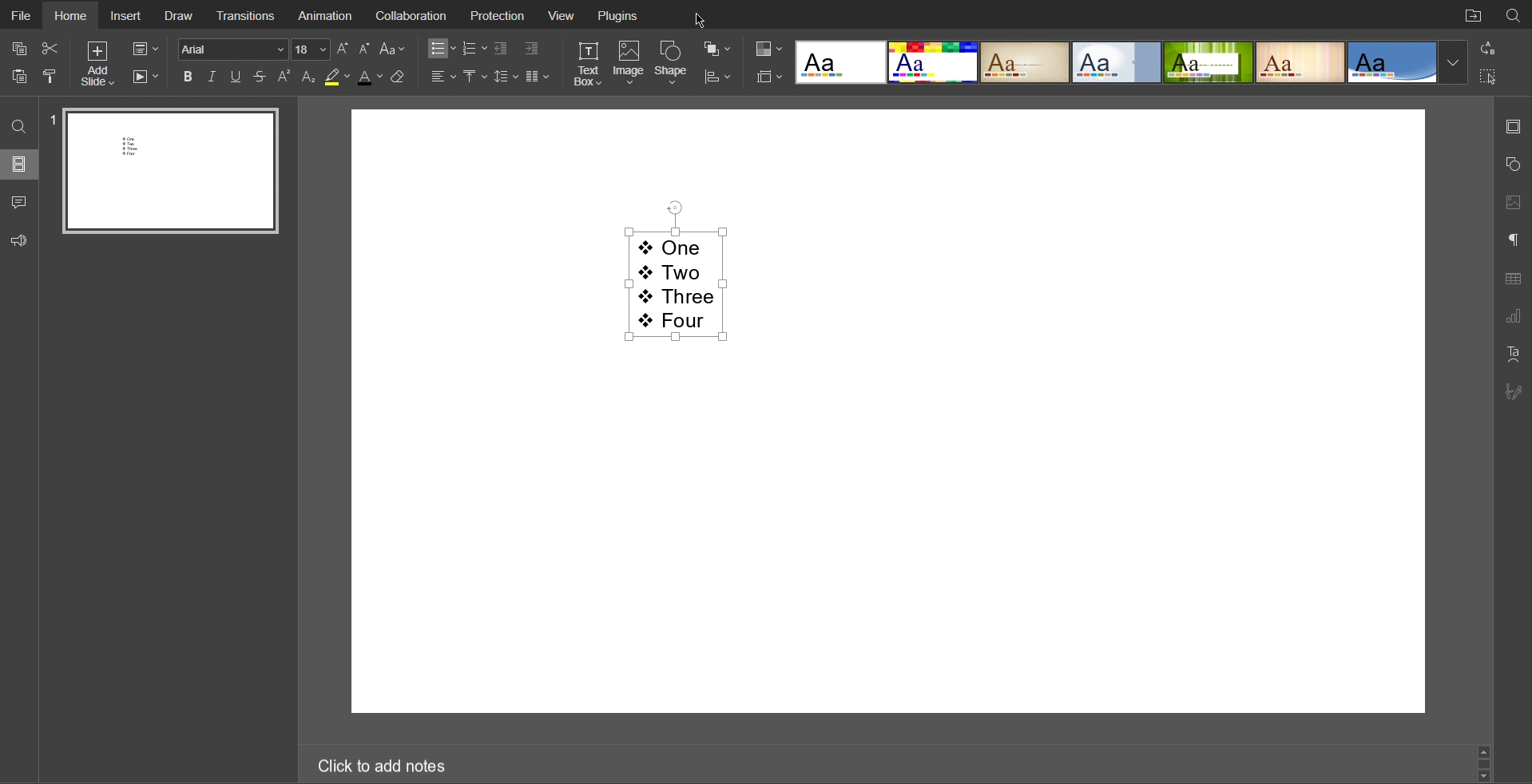 The image size is (1532, 784). Describe the element at coordinates (343, 49) in the screenshot. I see `Increase Font` at that location.